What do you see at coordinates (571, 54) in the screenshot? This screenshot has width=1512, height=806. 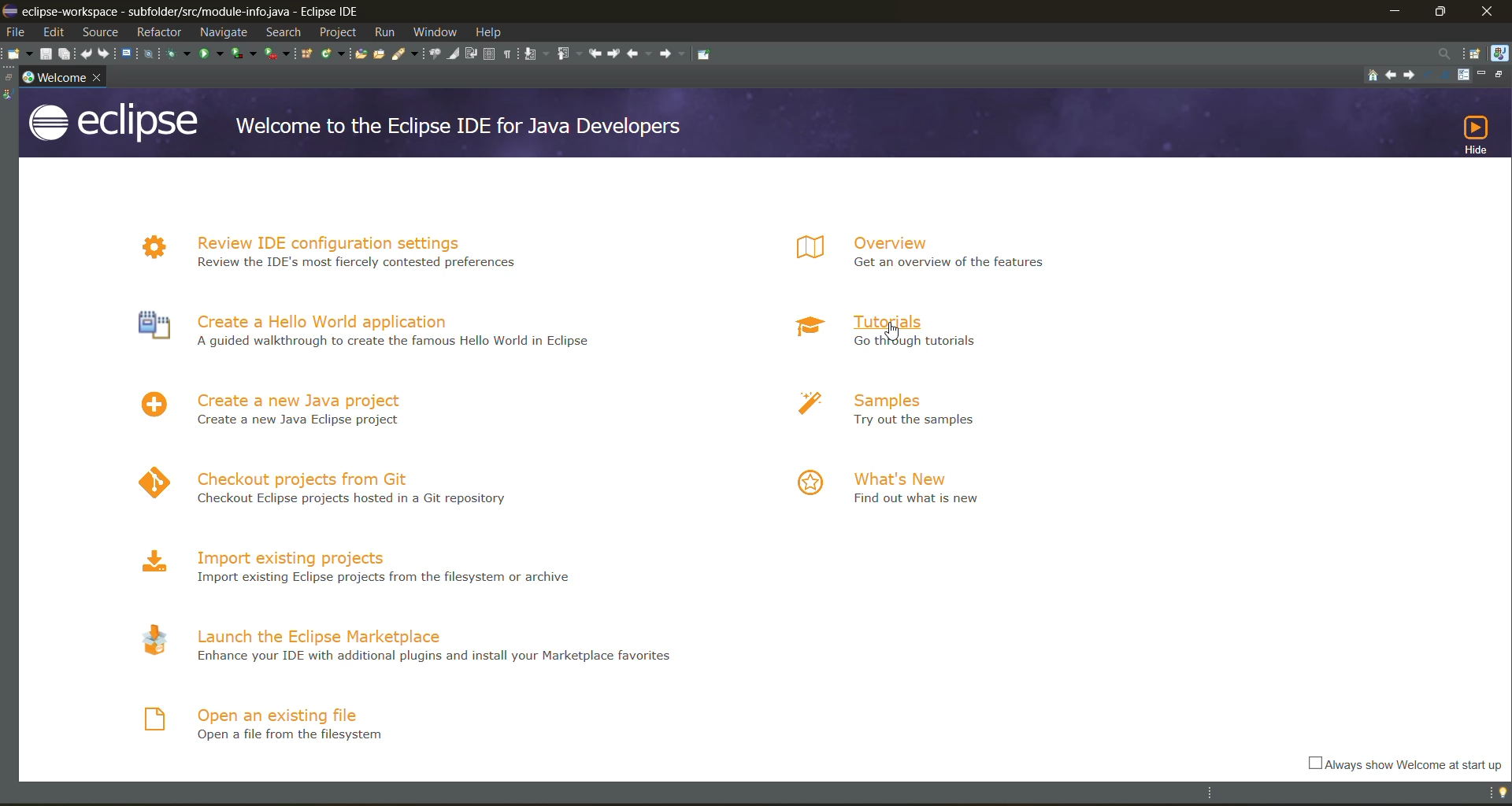 I see `previous annotation` at bounding box center [571, 54].